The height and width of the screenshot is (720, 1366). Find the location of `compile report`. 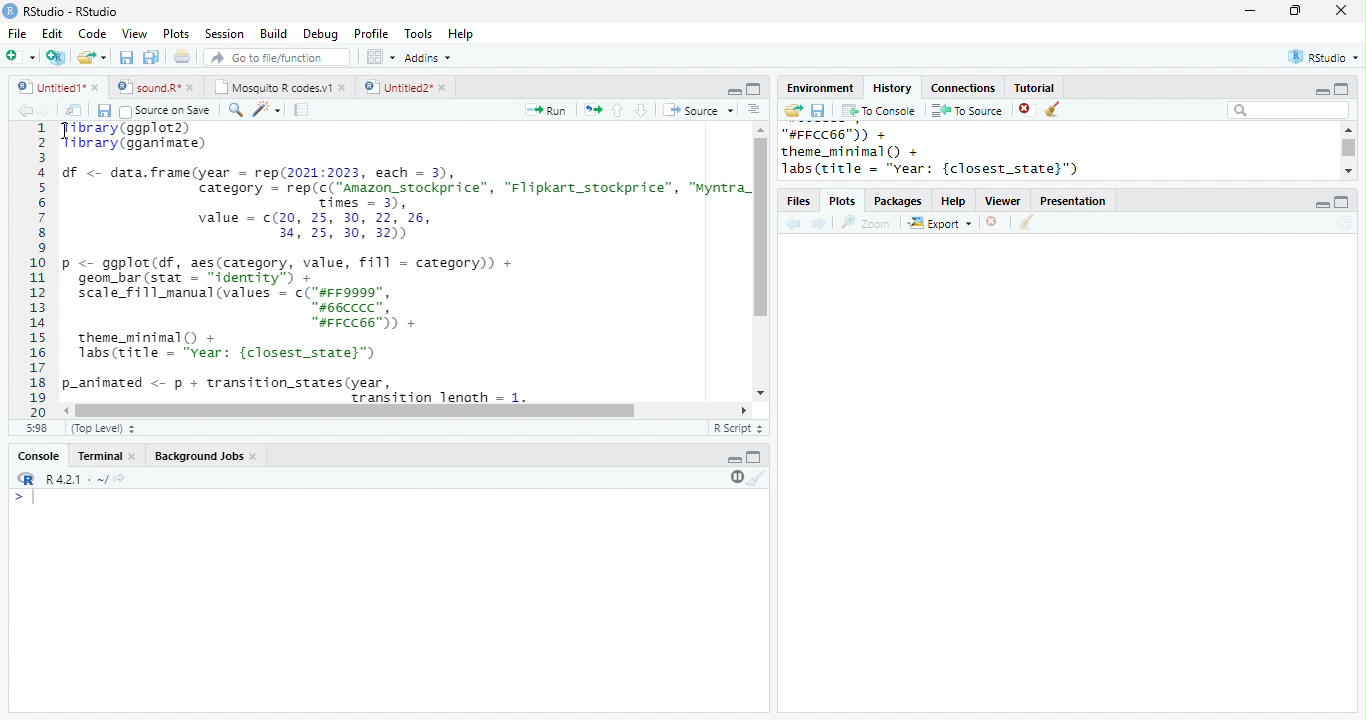

compile report is located at coordinates (302, 111).